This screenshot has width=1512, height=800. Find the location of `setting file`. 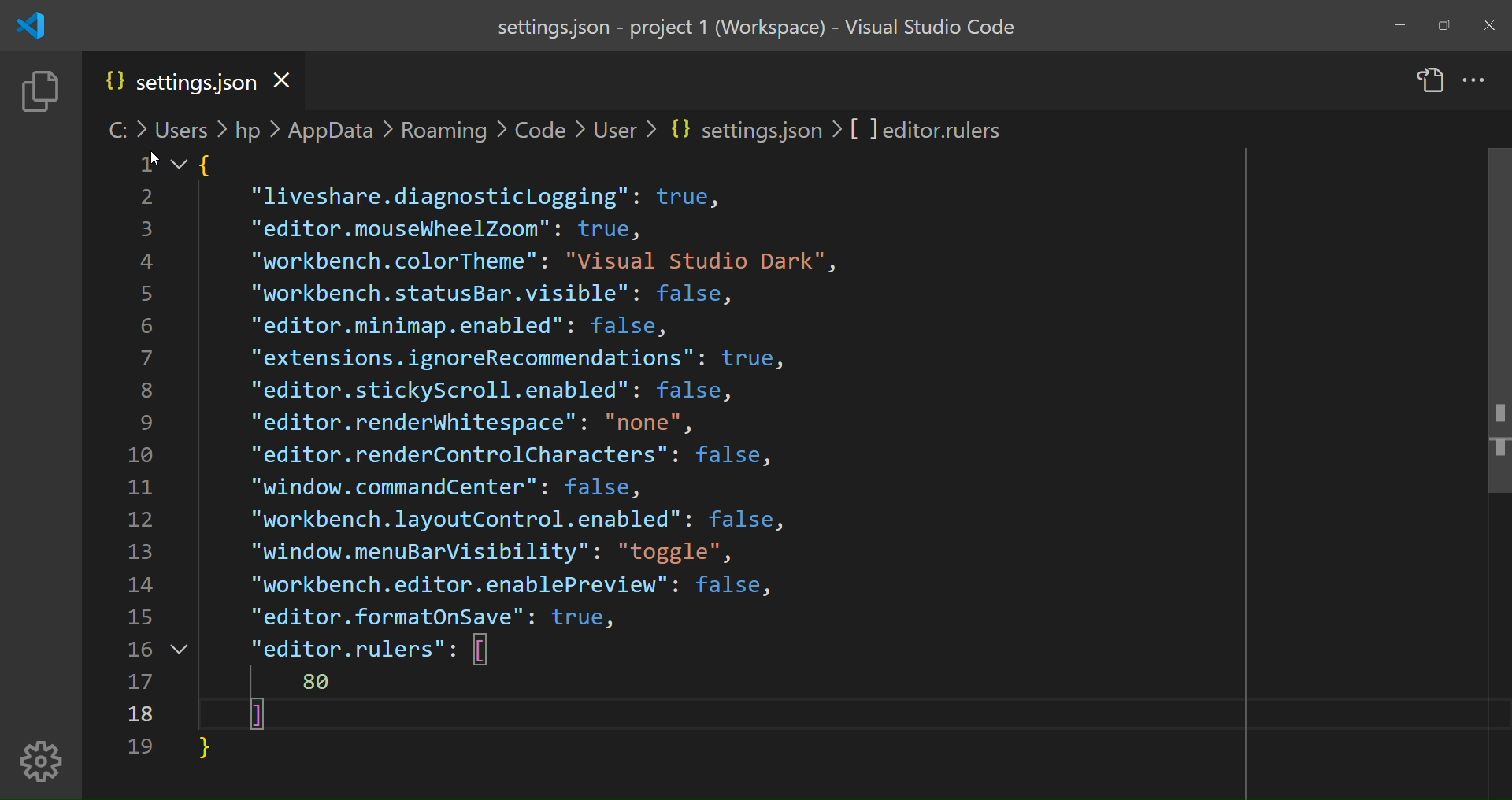

setting file is located at coordinates (178, 83).